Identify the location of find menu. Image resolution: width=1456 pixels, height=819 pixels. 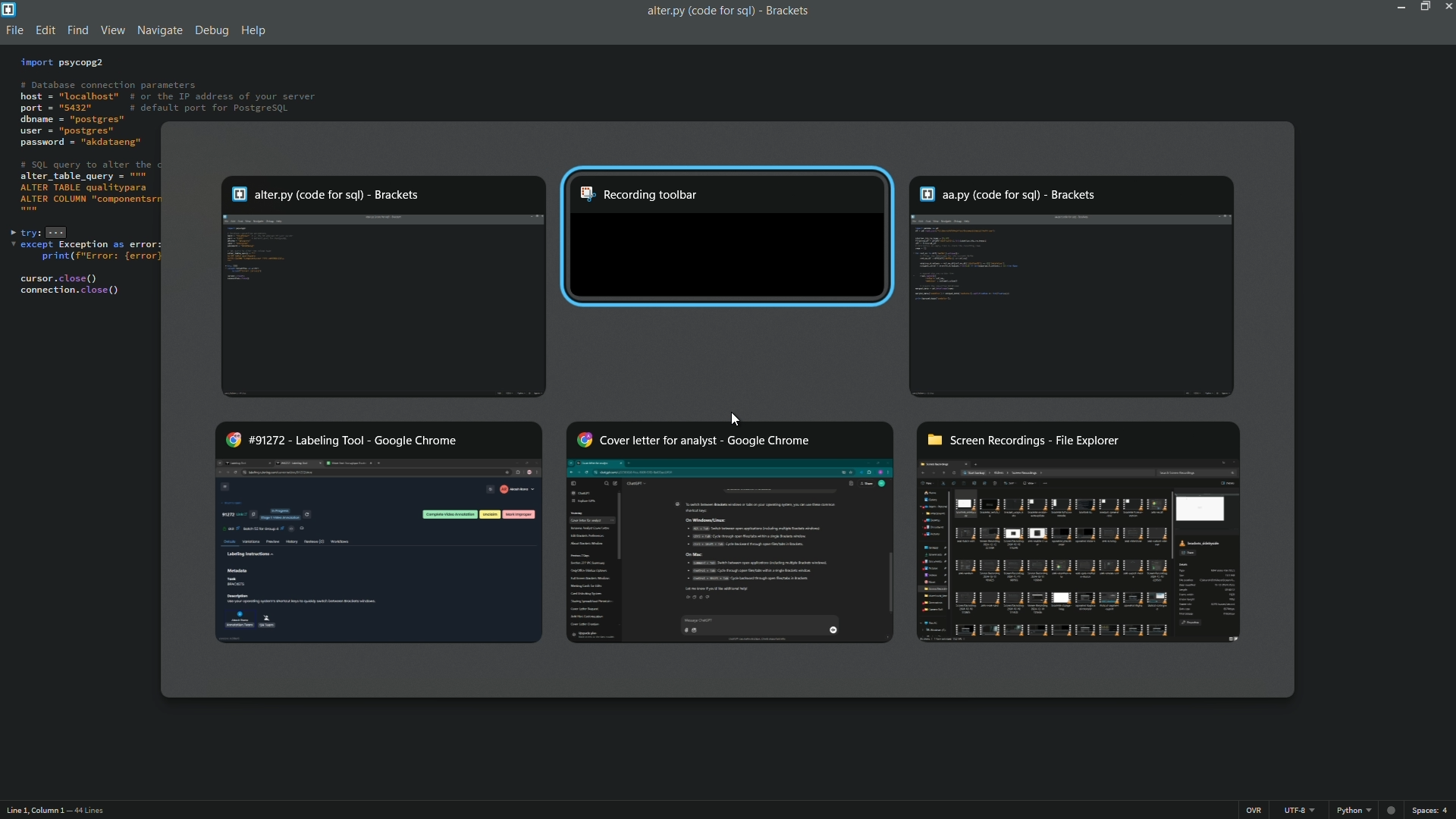
(76, 32).